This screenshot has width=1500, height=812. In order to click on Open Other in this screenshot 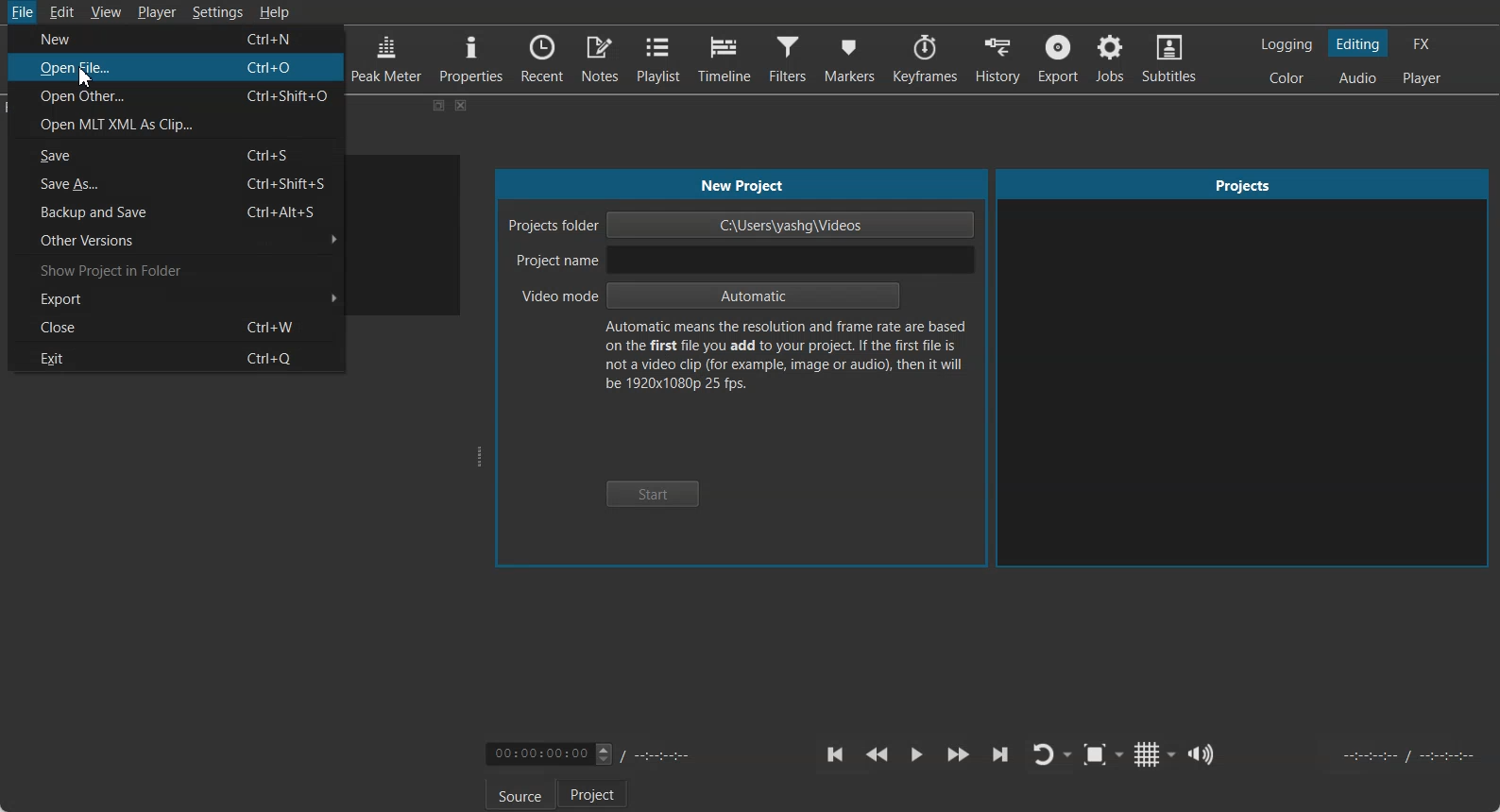, I will do `click(113, 97)`.